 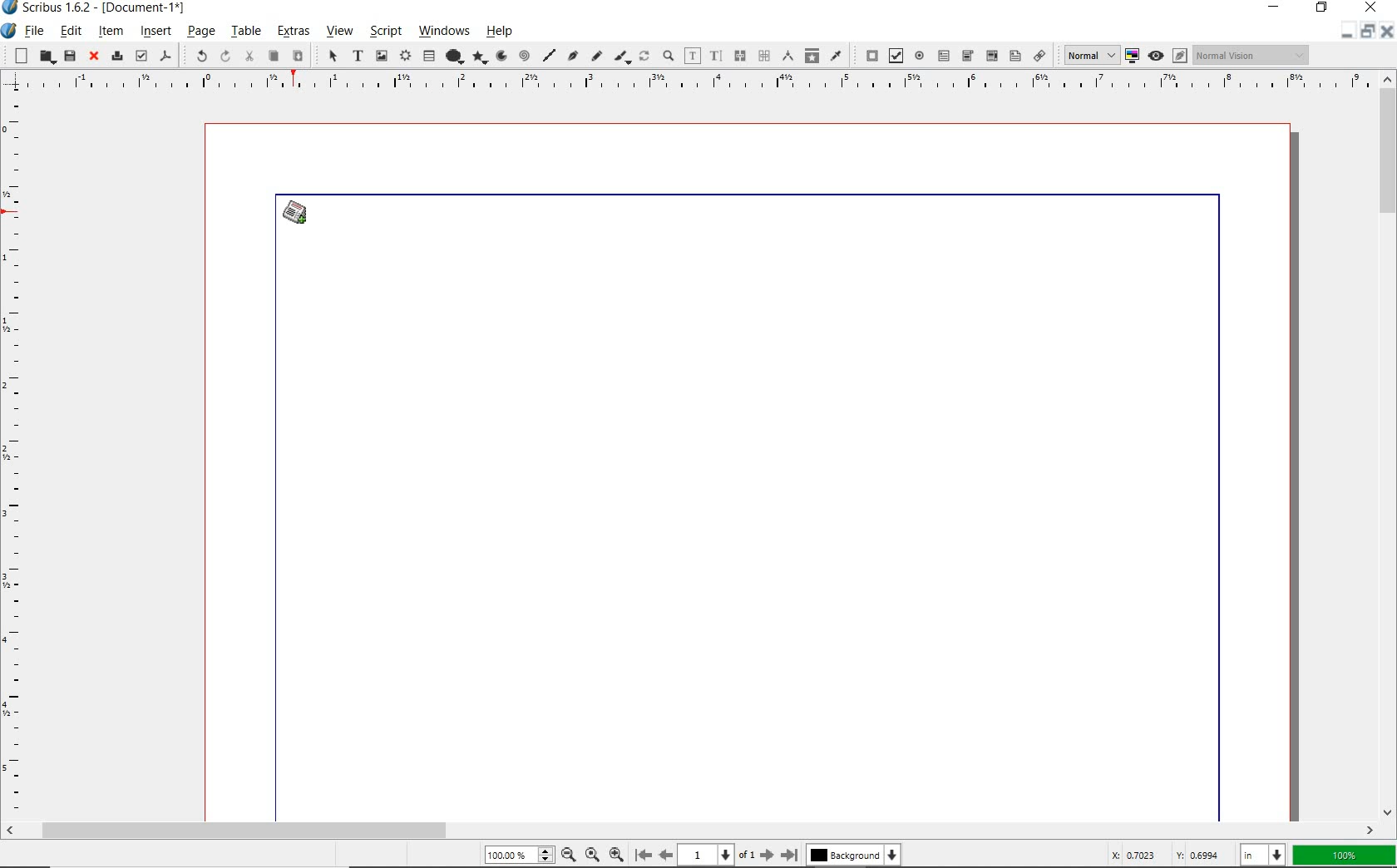 What do you see at coordinates (1265, 856) in the screenshot?
I see `select unit: in` at bounding box center [1265, 856].